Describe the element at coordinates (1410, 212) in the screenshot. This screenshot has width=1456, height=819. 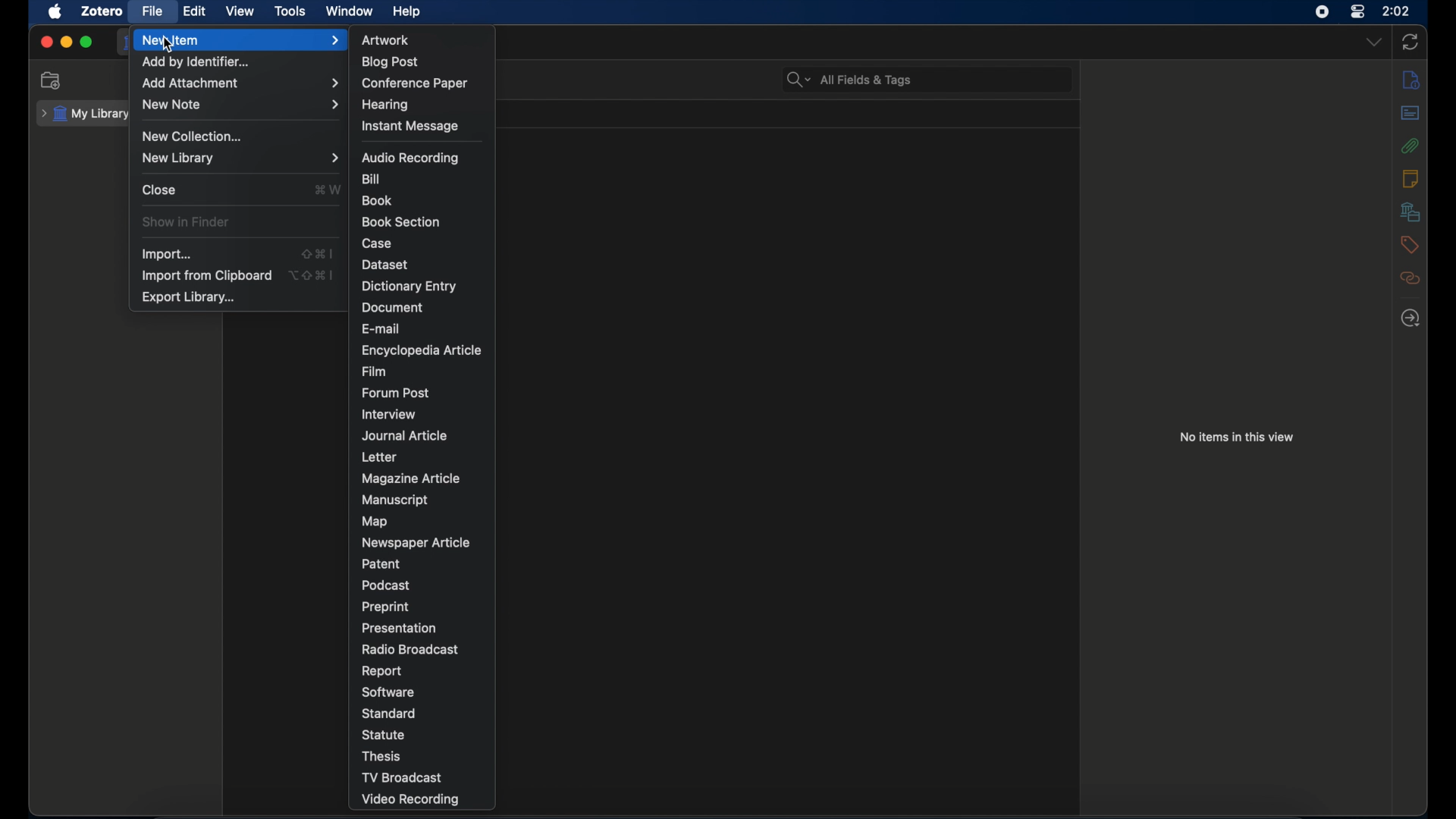
I see `libraries` at that location.